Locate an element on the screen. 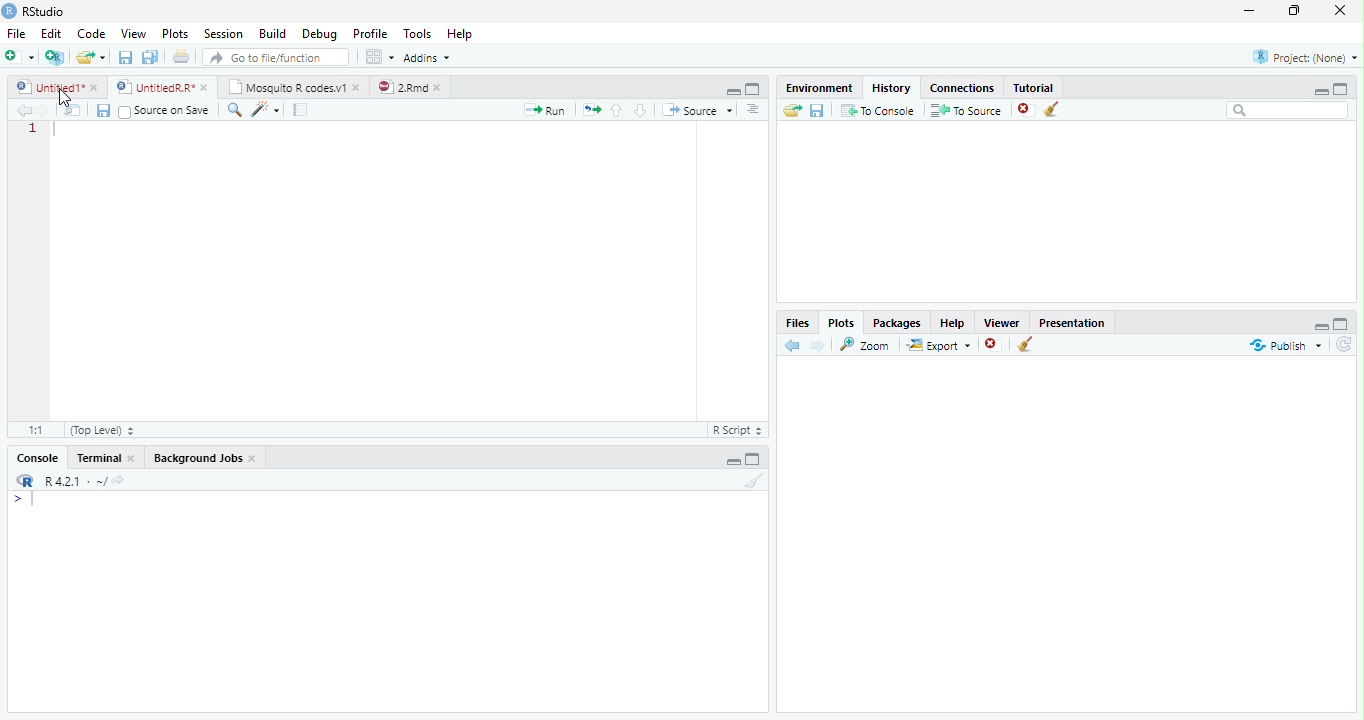  File is located at coordinates (15, 33).